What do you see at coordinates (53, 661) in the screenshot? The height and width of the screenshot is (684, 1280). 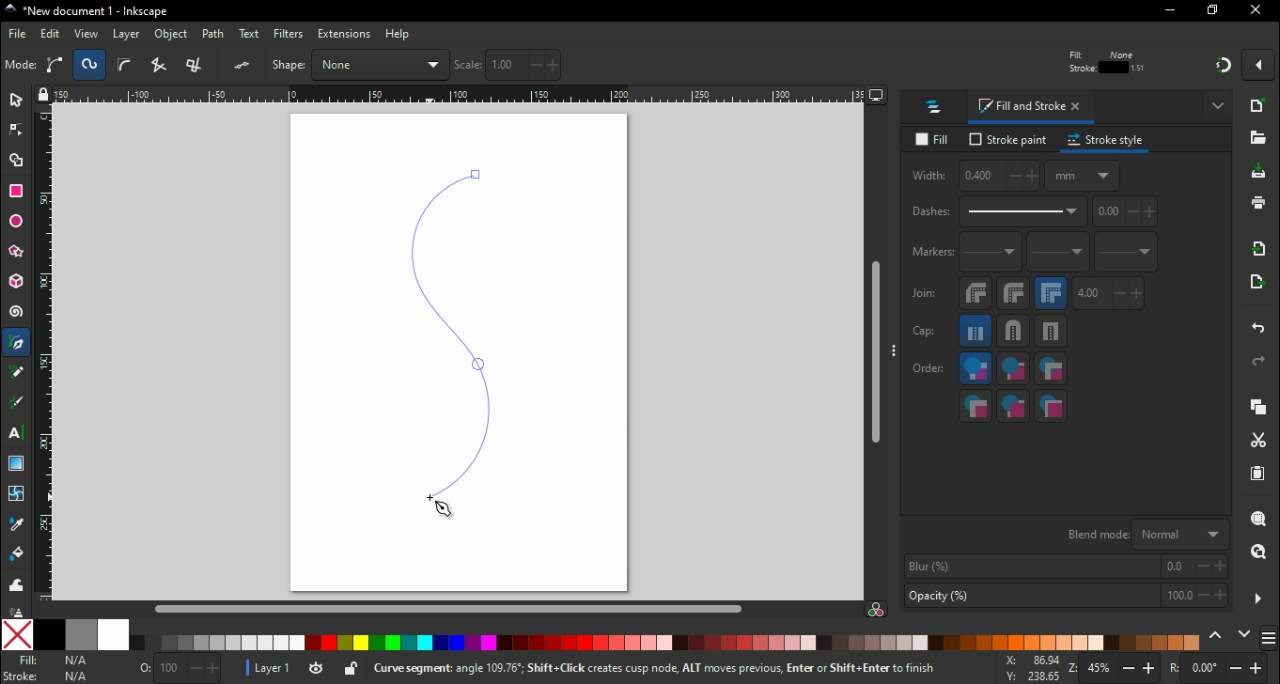 I see `fill color` at bounding box center [53, 661].